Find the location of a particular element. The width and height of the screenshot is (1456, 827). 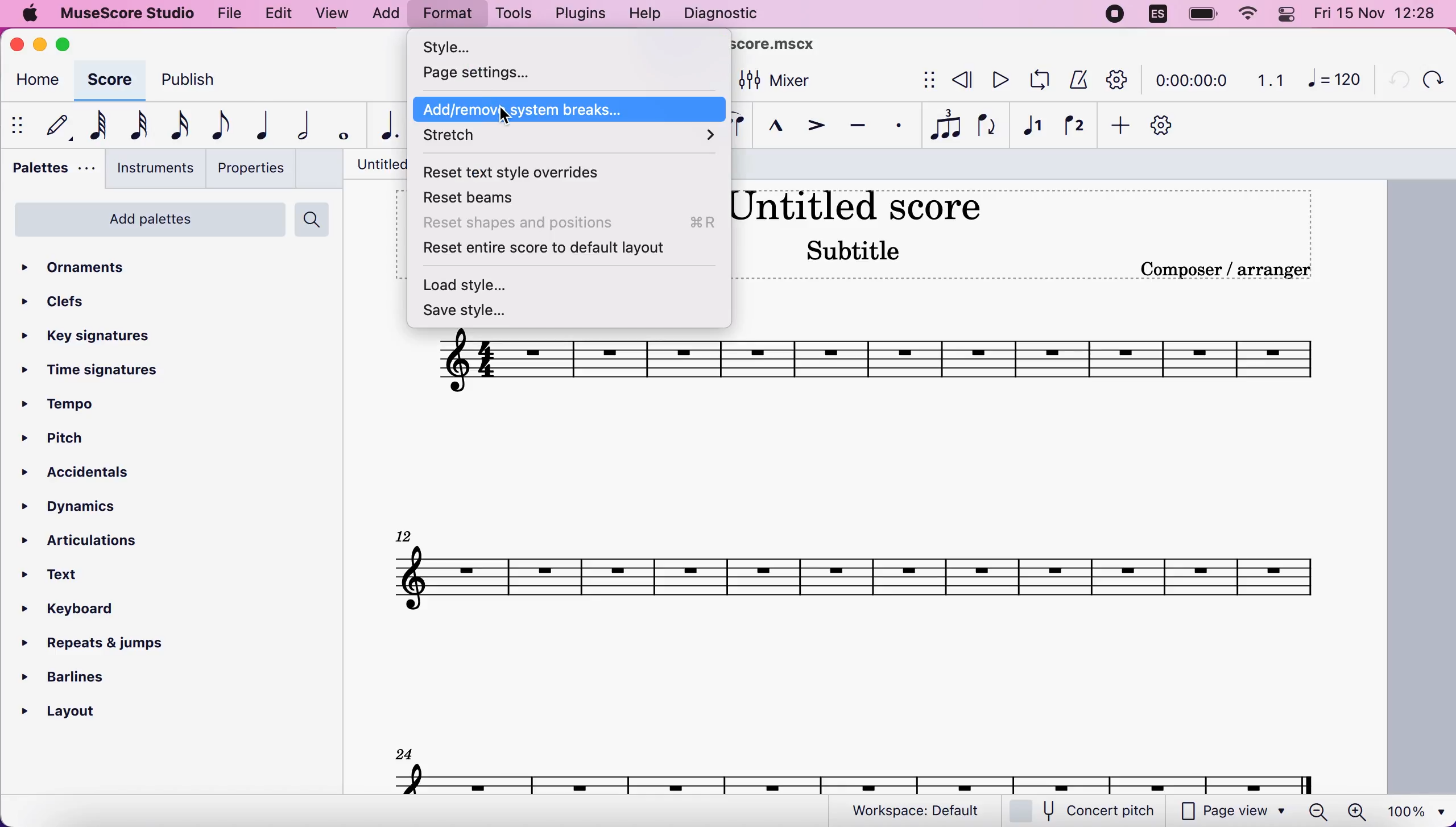

home is located at coordinates (35, 82).